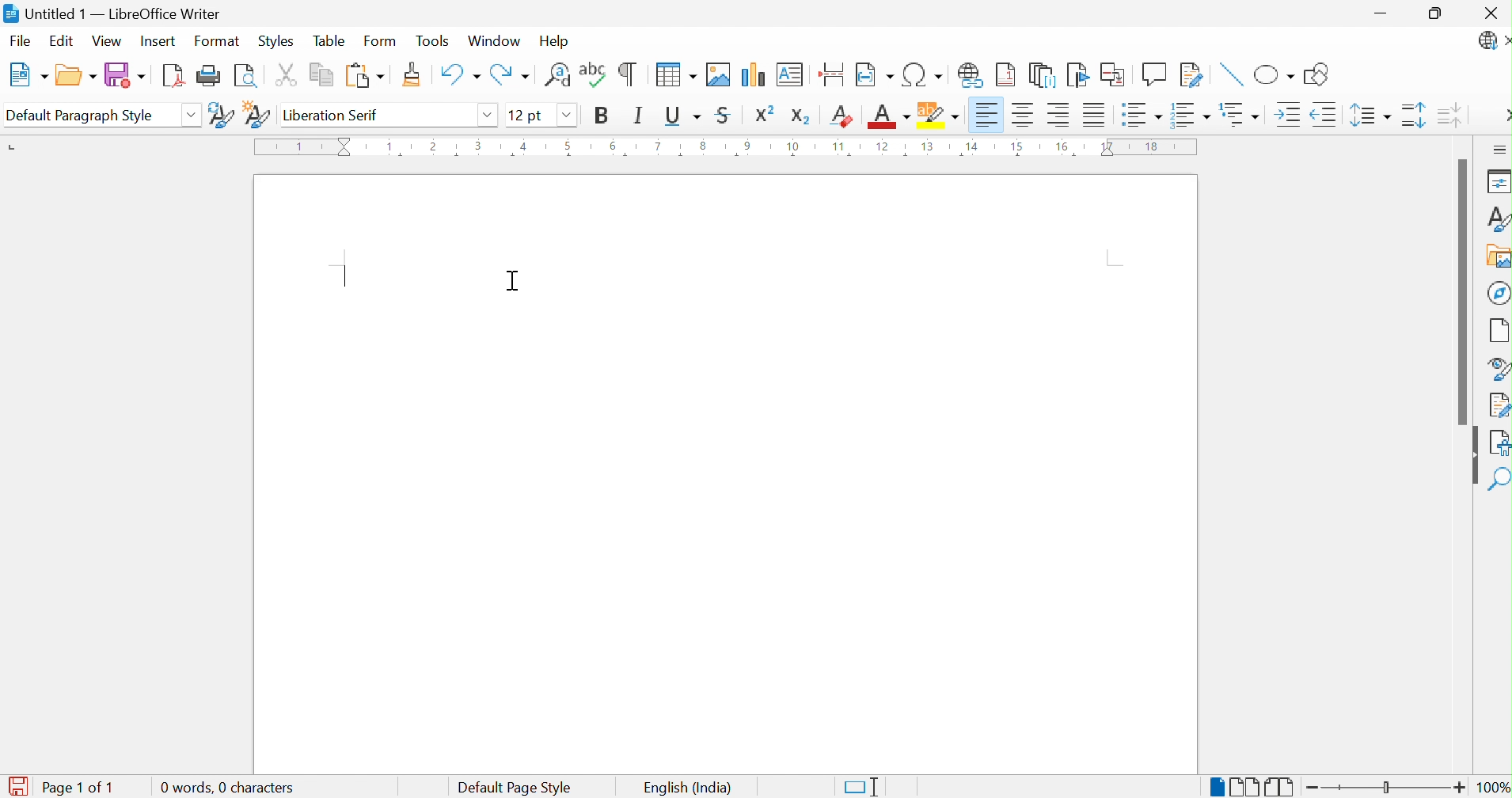 Image resolution: width=1512 pixels, height=798 pixels. Describe the element at coordinates (1078, 74) in the screenshot. I see `Bookmark` at that location.